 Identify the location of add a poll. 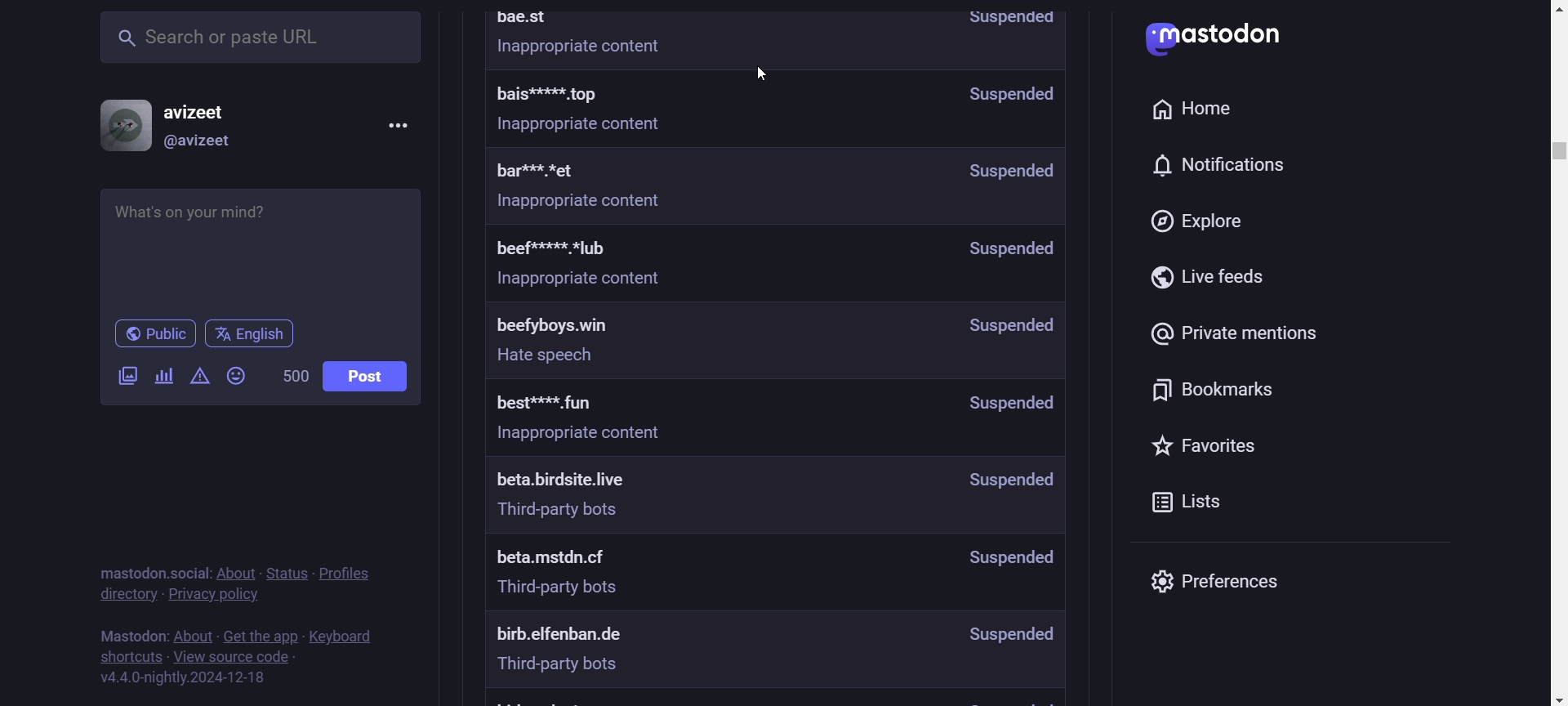
(161, 377).